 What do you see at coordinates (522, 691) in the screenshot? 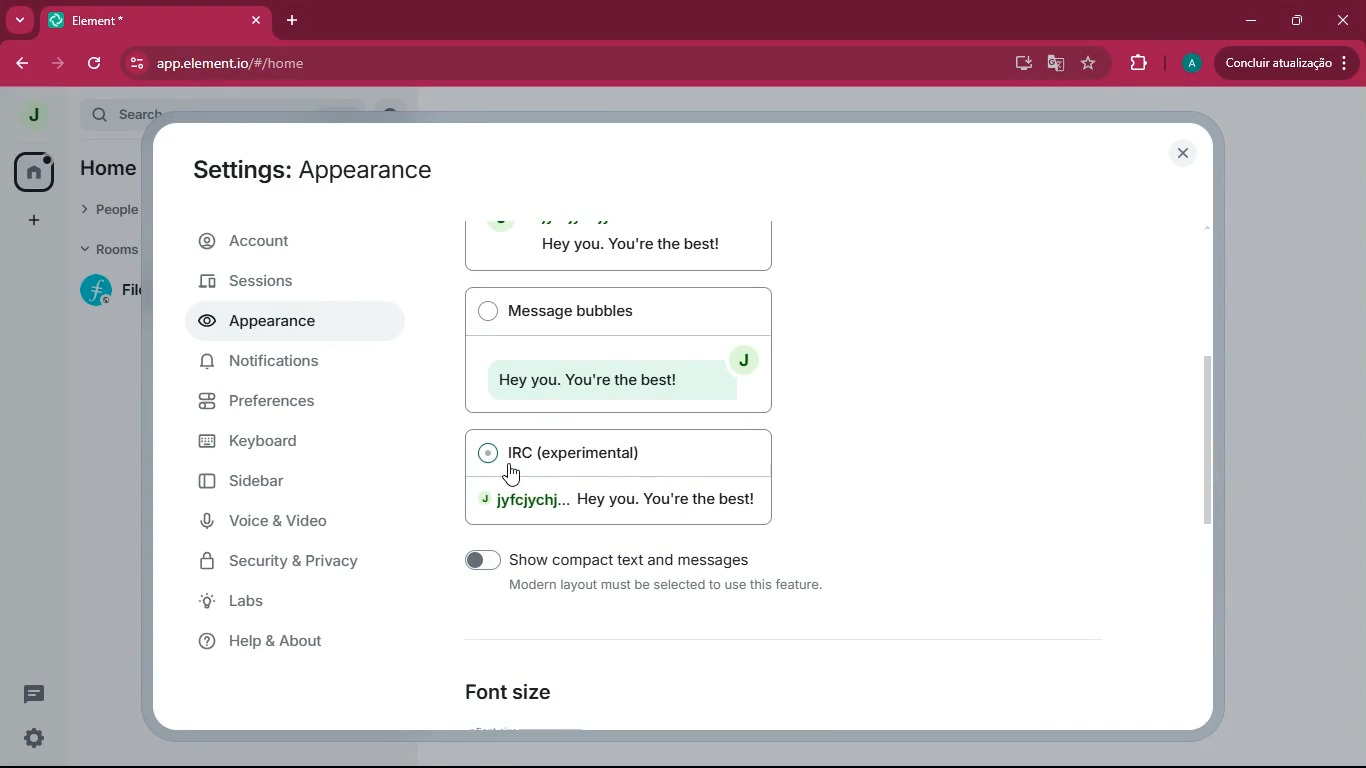
I see `font size` at bounding box center [522, 691].